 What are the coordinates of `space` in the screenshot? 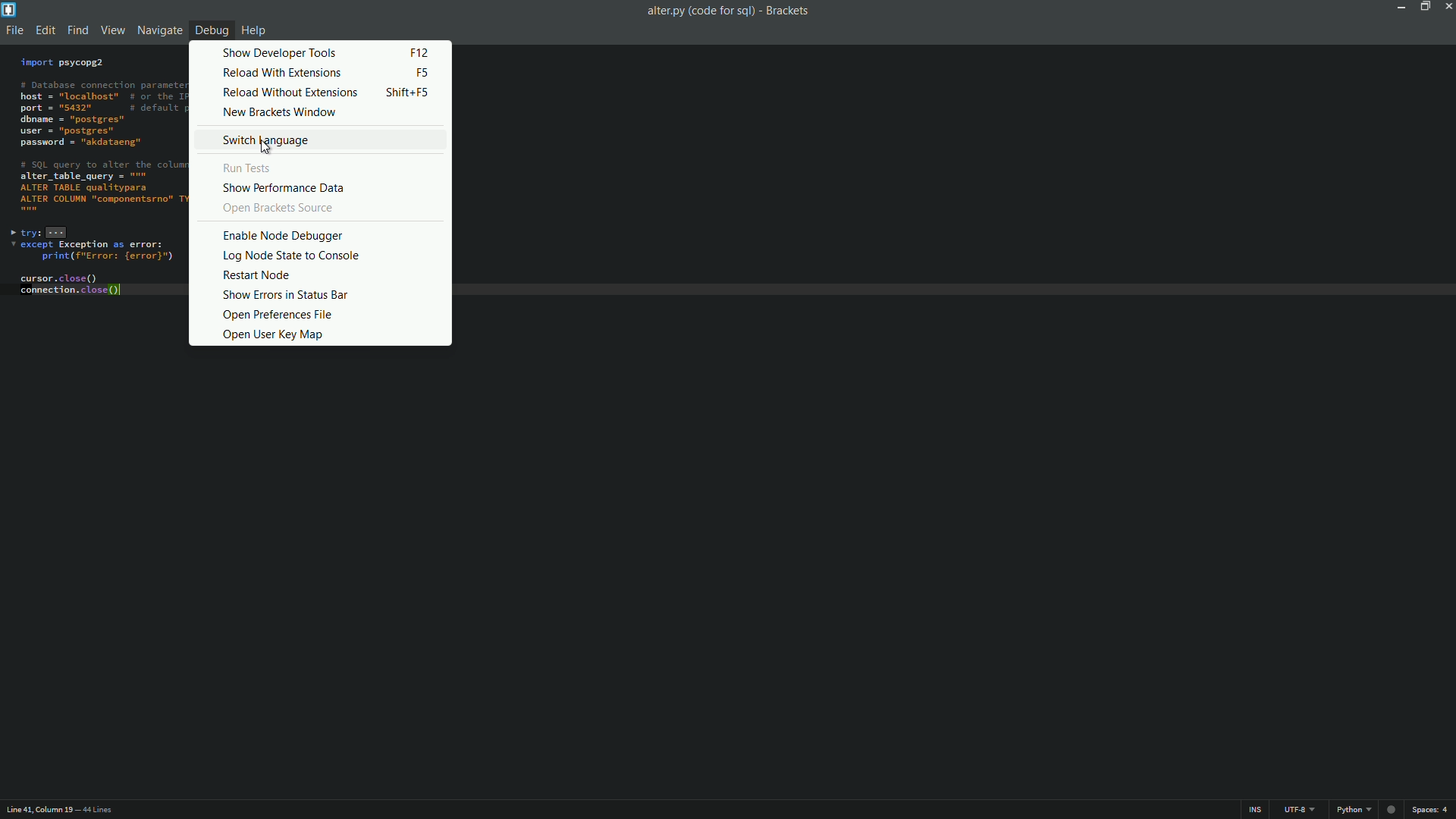 It's located at (1429, 809).